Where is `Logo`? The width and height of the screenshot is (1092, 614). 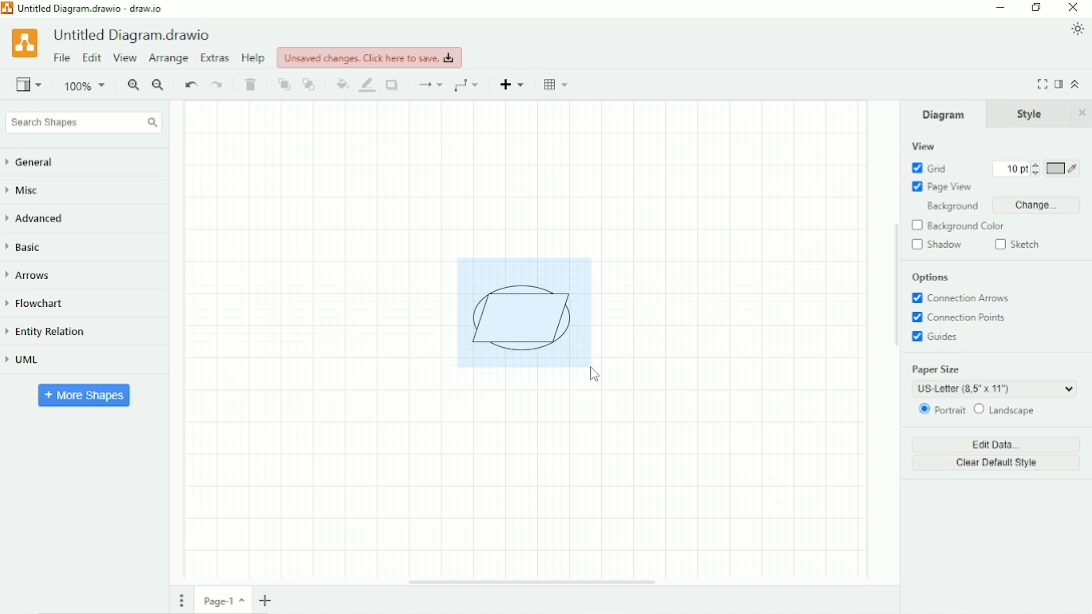 Logo is located at coordinates (24, 42).